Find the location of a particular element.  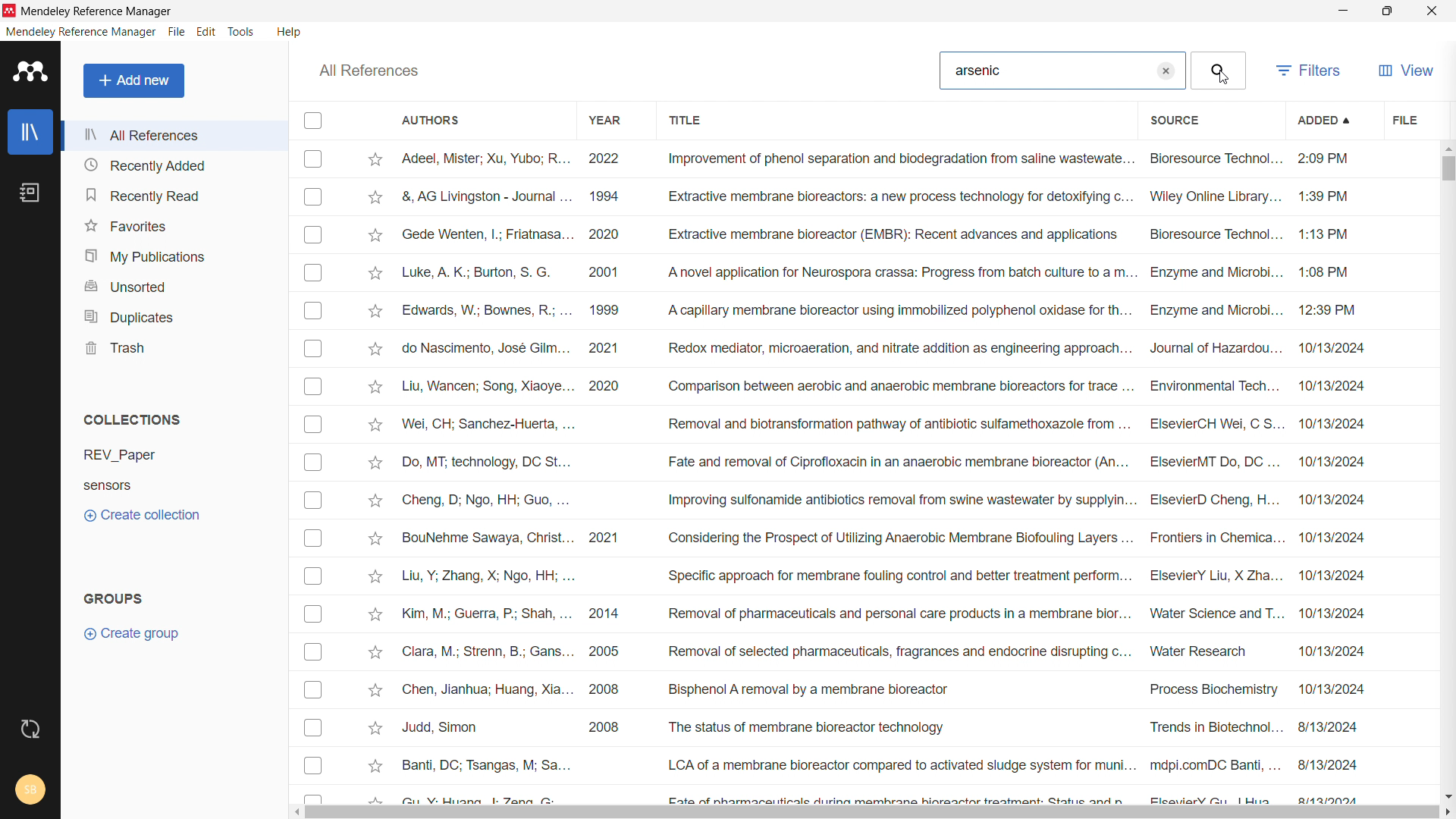

Add to favorites is located at coordinates (376, 538).